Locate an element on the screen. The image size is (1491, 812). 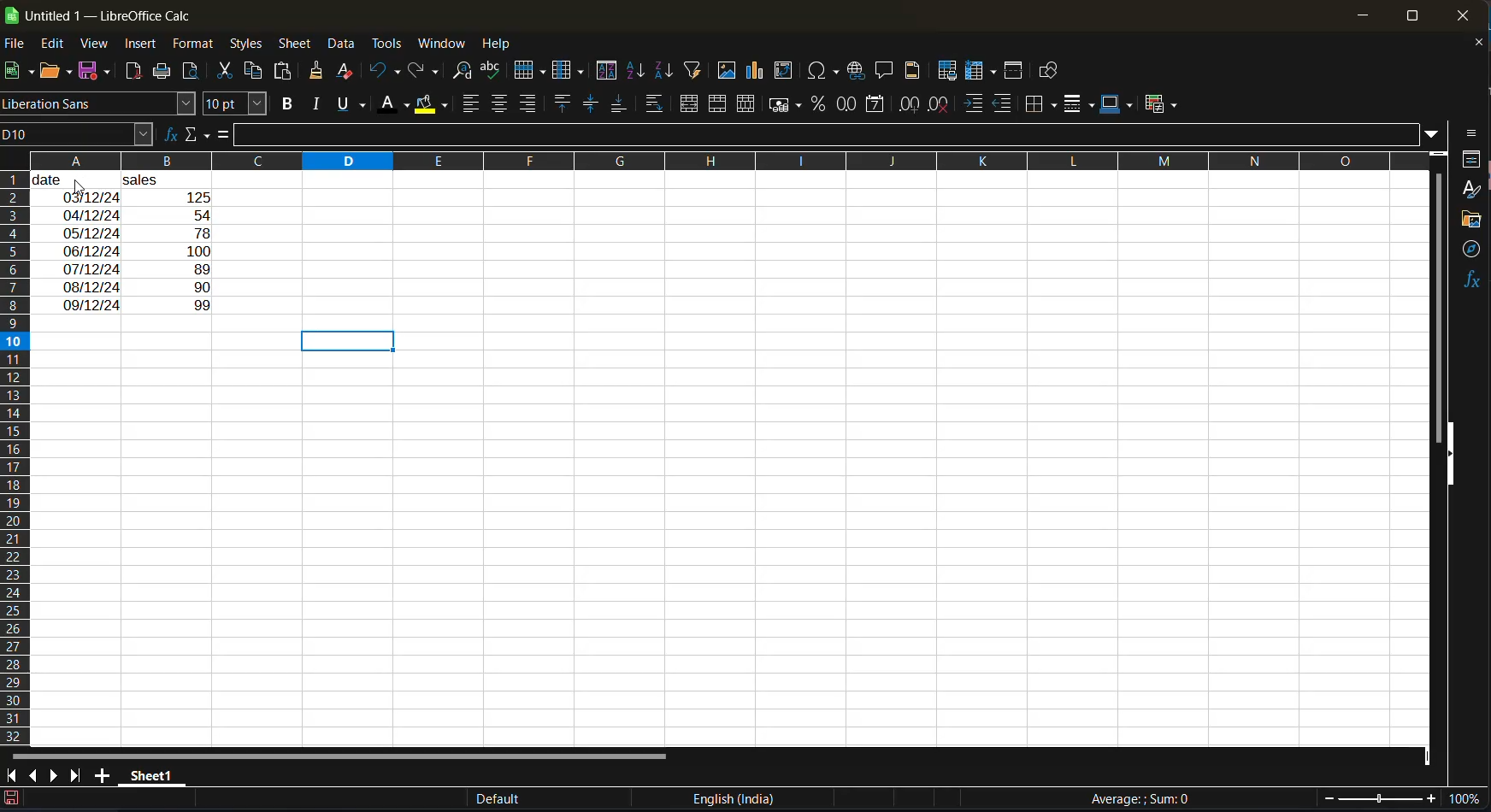
close is located at coordinates (1463, 15).